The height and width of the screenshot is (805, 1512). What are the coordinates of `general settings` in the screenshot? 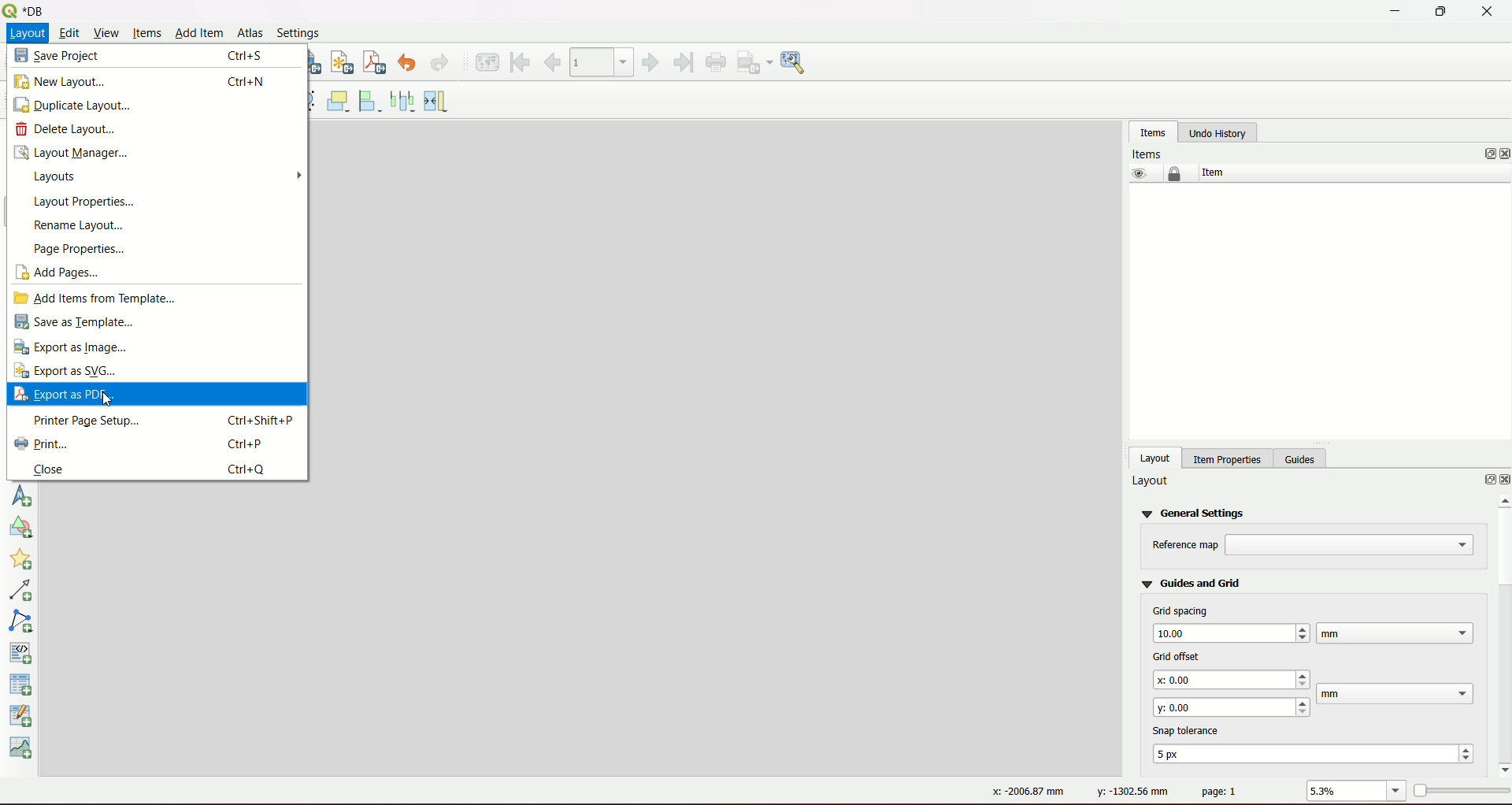 It's located at (1196, 512).